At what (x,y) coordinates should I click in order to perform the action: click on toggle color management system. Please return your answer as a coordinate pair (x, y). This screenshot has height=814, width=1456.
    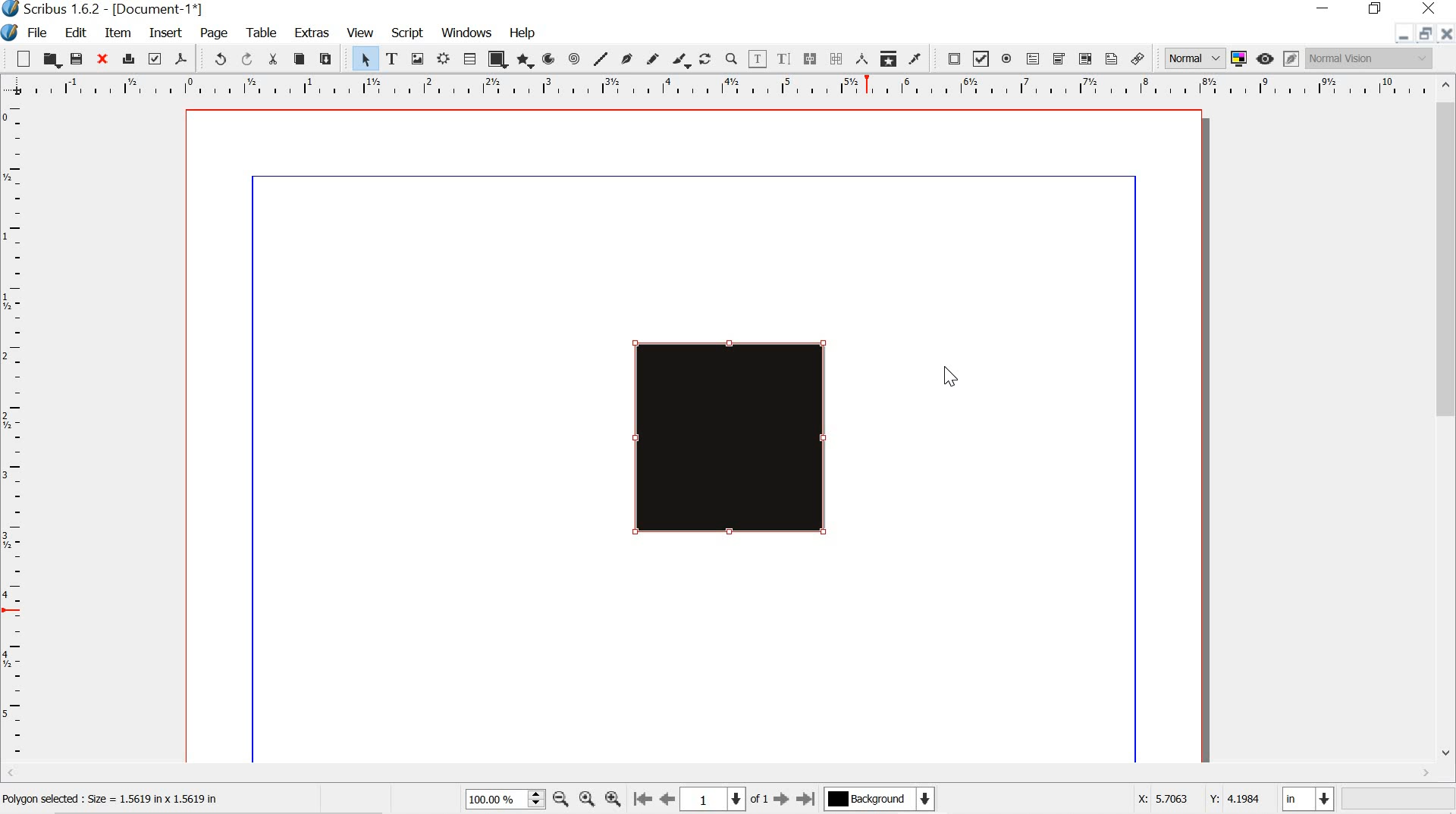
    Looking at the image, I should click on (1238, 59).